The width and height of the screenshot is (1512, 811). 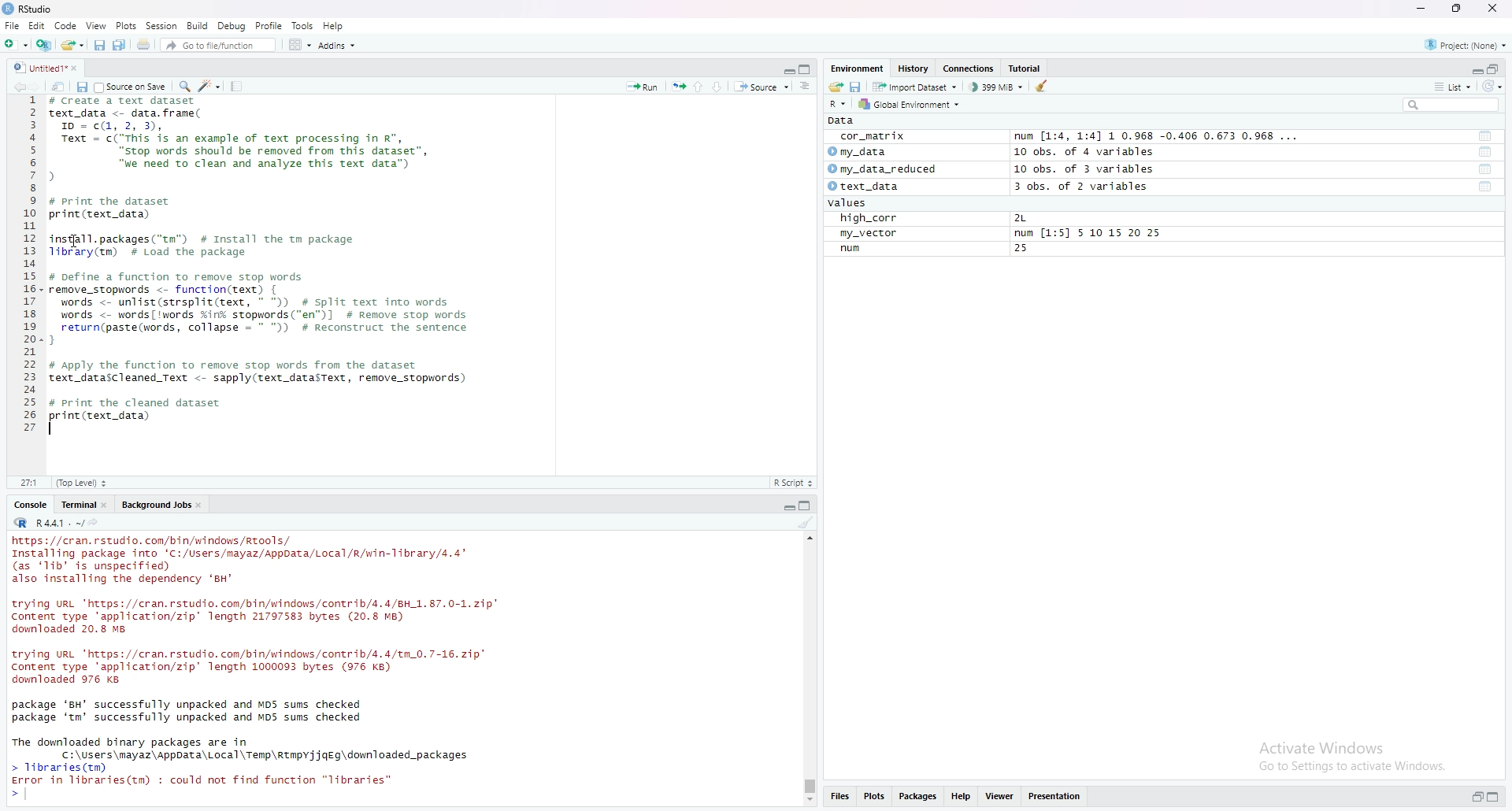 I want to click on view, so click(x=97, y=26).